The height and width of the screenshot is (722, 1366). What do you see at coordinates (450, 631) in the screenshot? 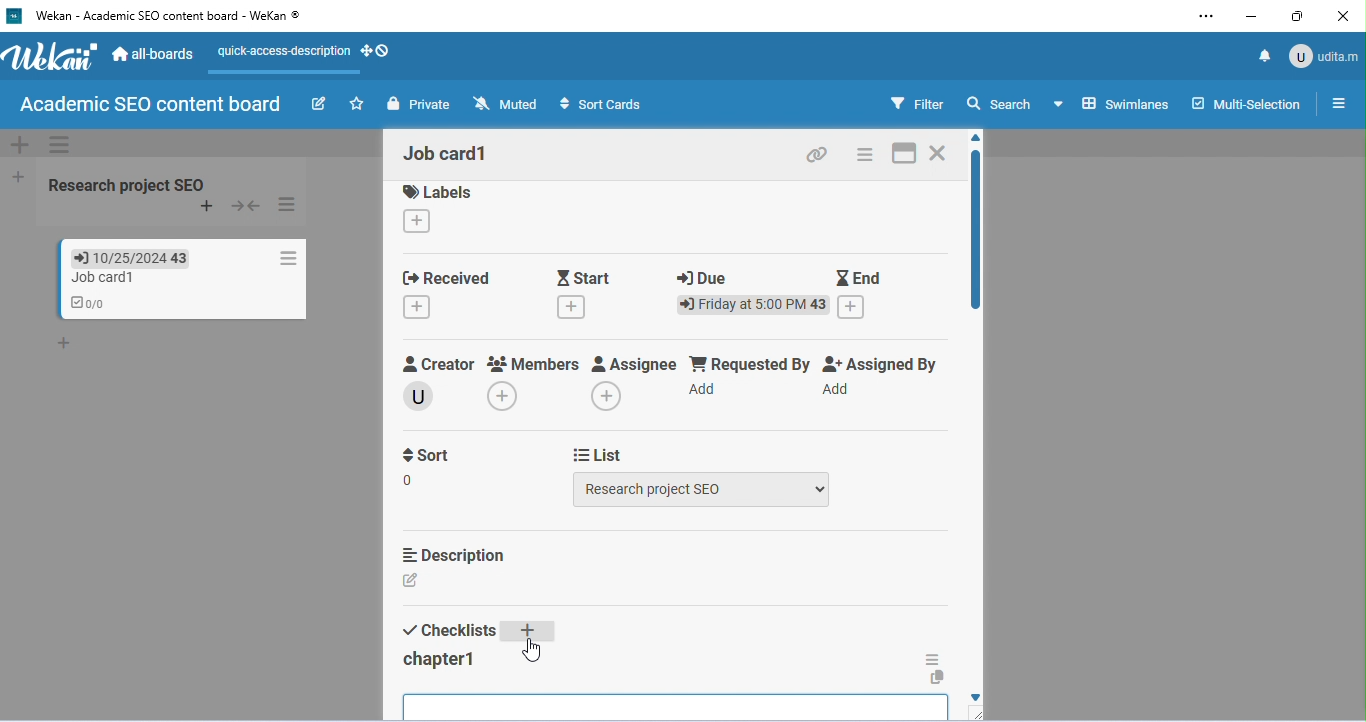
I see `checklist` at bounding box center [450, 631].